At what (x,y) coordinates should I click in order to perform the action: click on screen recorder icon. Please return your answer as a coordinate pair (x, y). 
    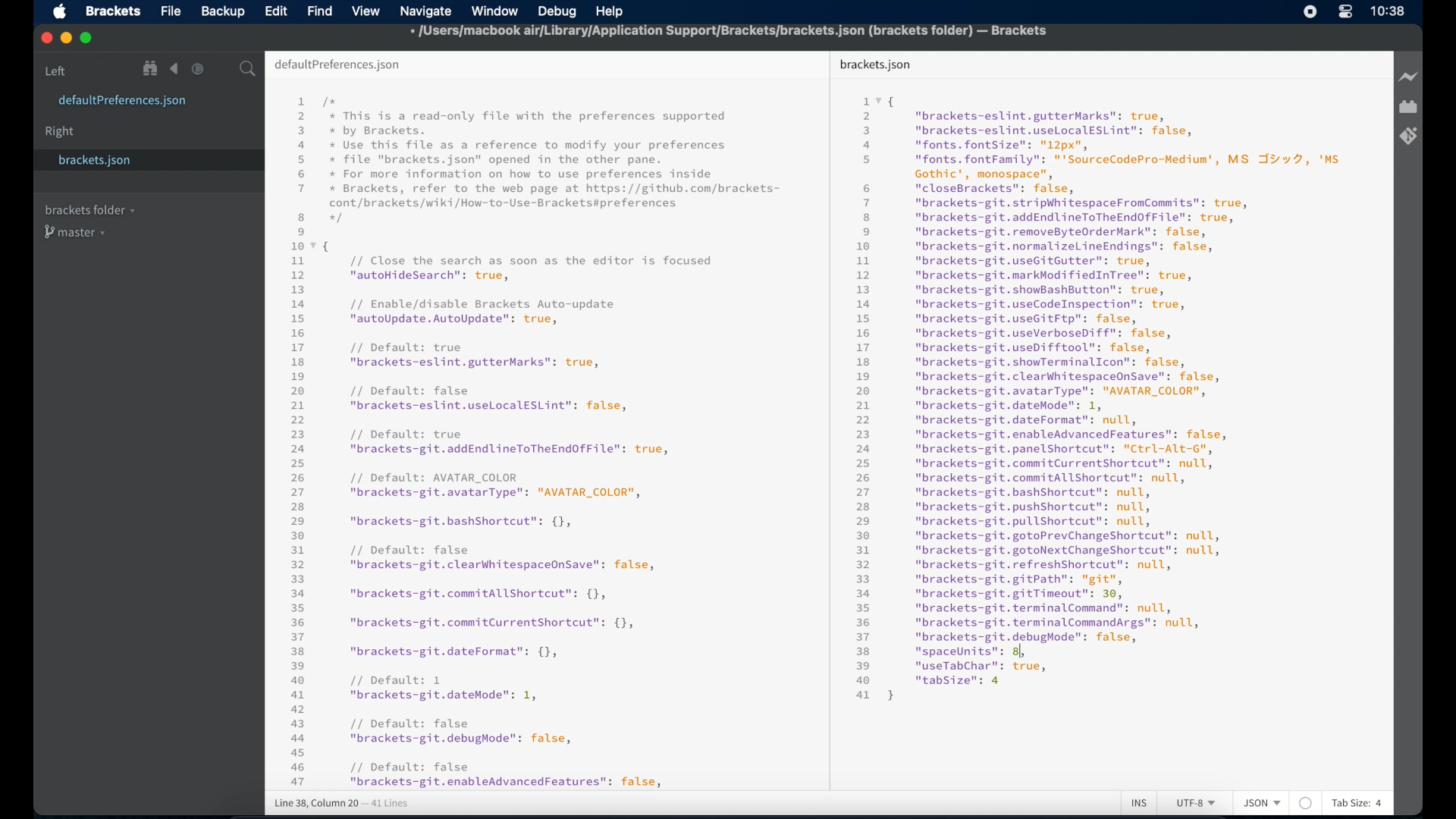
    Looking at the image, I should click on (1310, 11).